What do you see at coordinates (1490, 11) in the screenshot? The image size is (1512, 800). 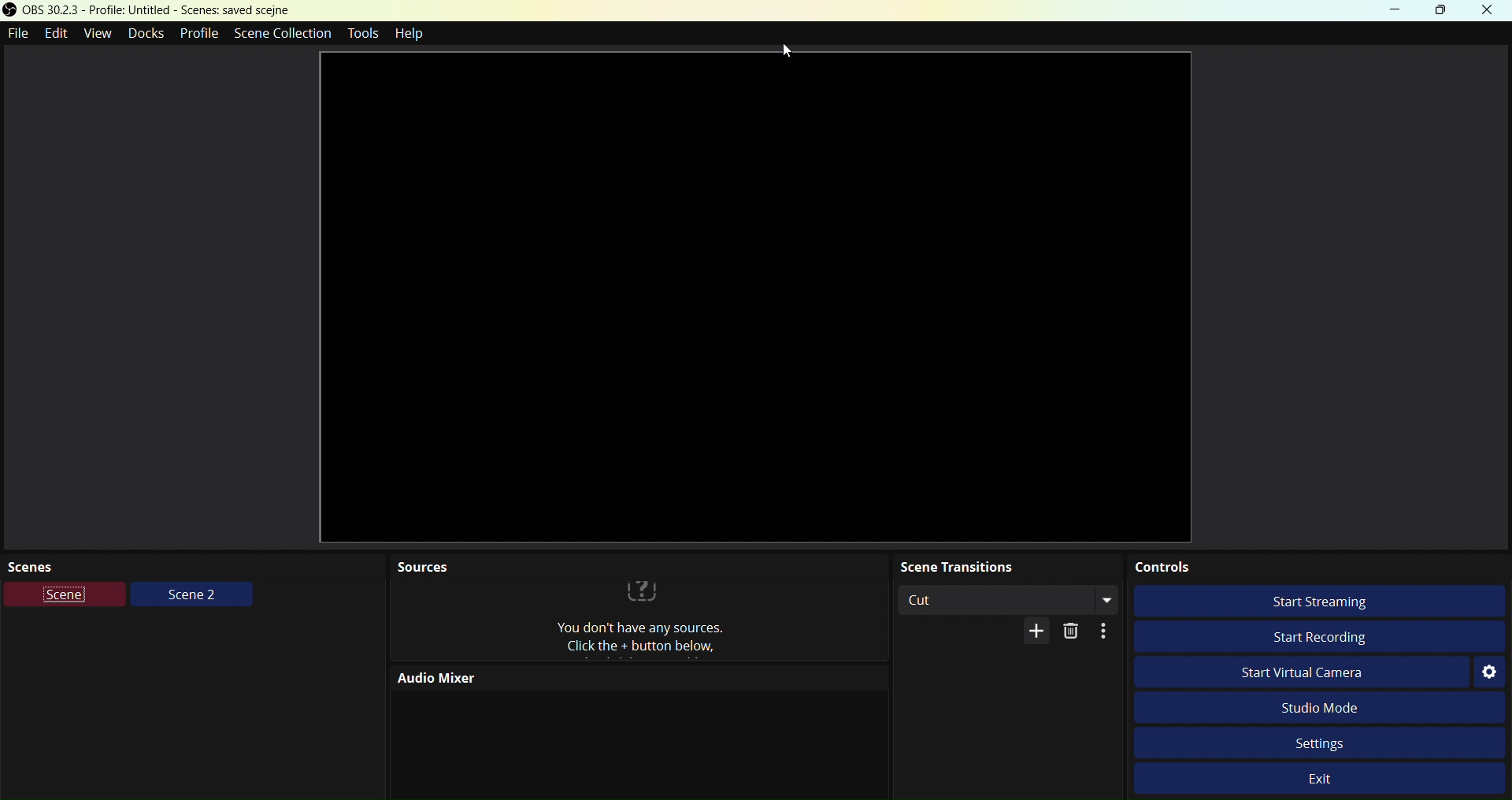 I see `Close` at bounding box center [1490, 11].